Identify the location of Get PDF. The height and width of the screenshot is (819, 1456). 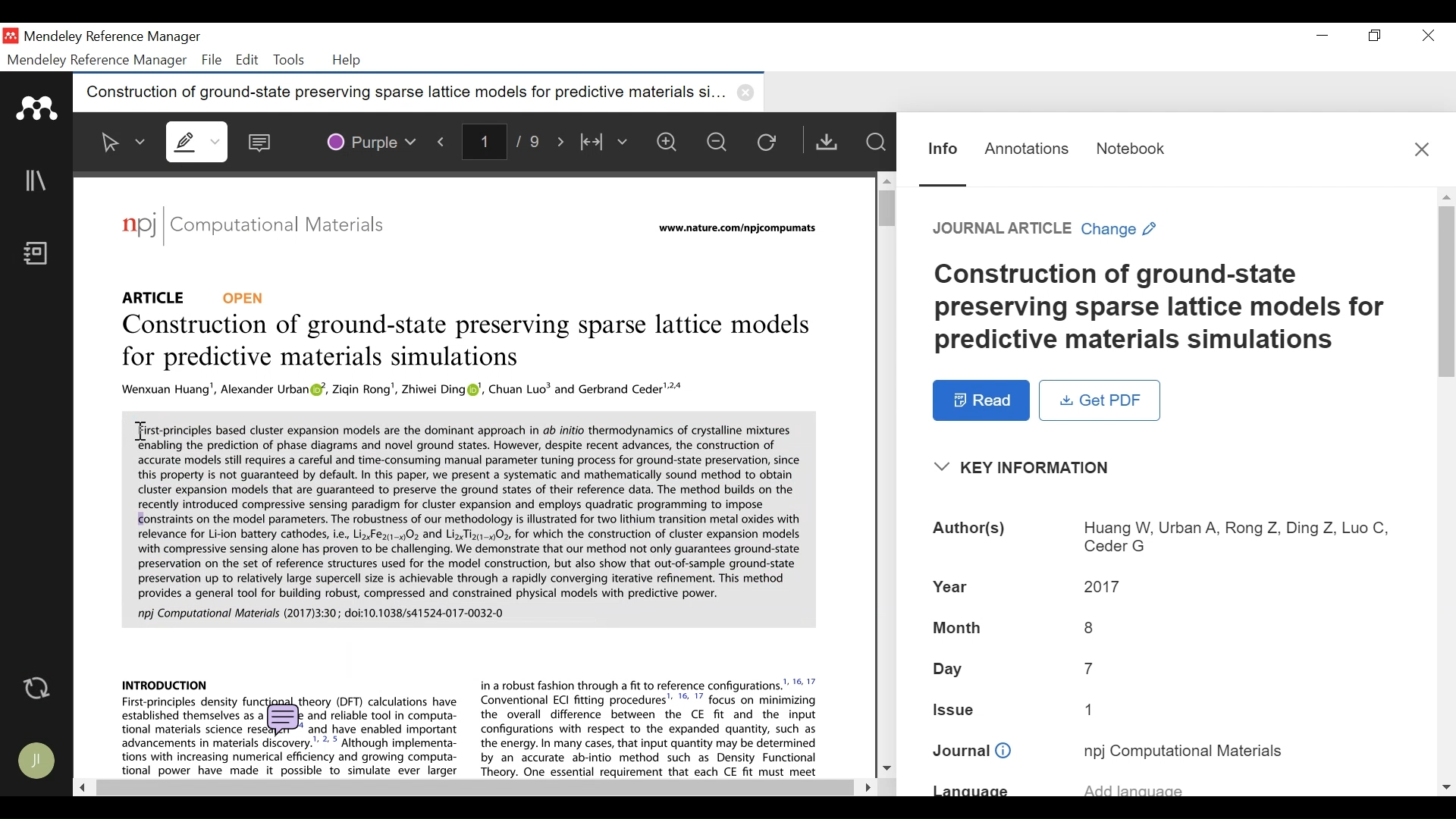
(1100, 400).